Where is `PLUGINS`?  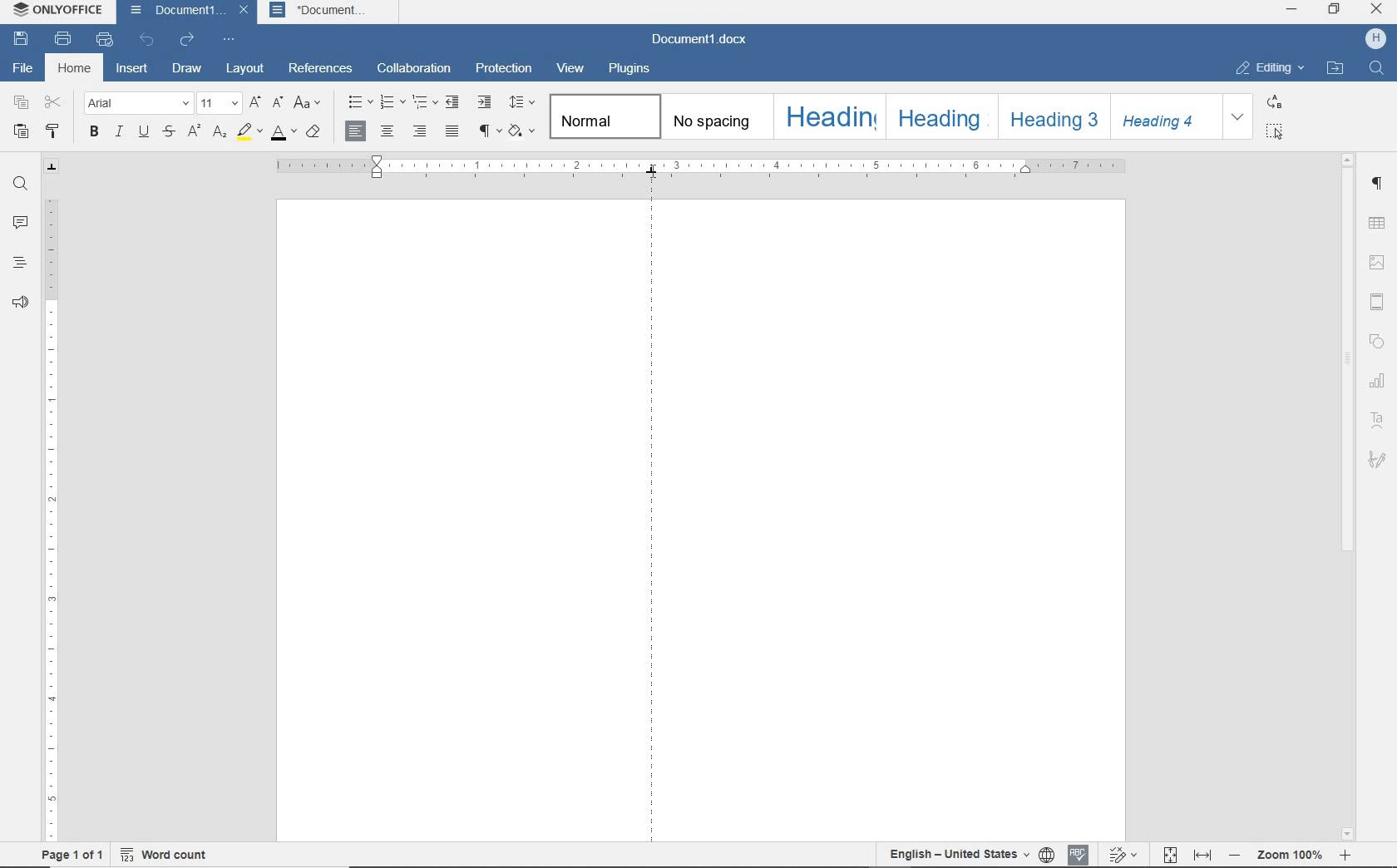
PLUGINS is located at coordinates (631, 69).